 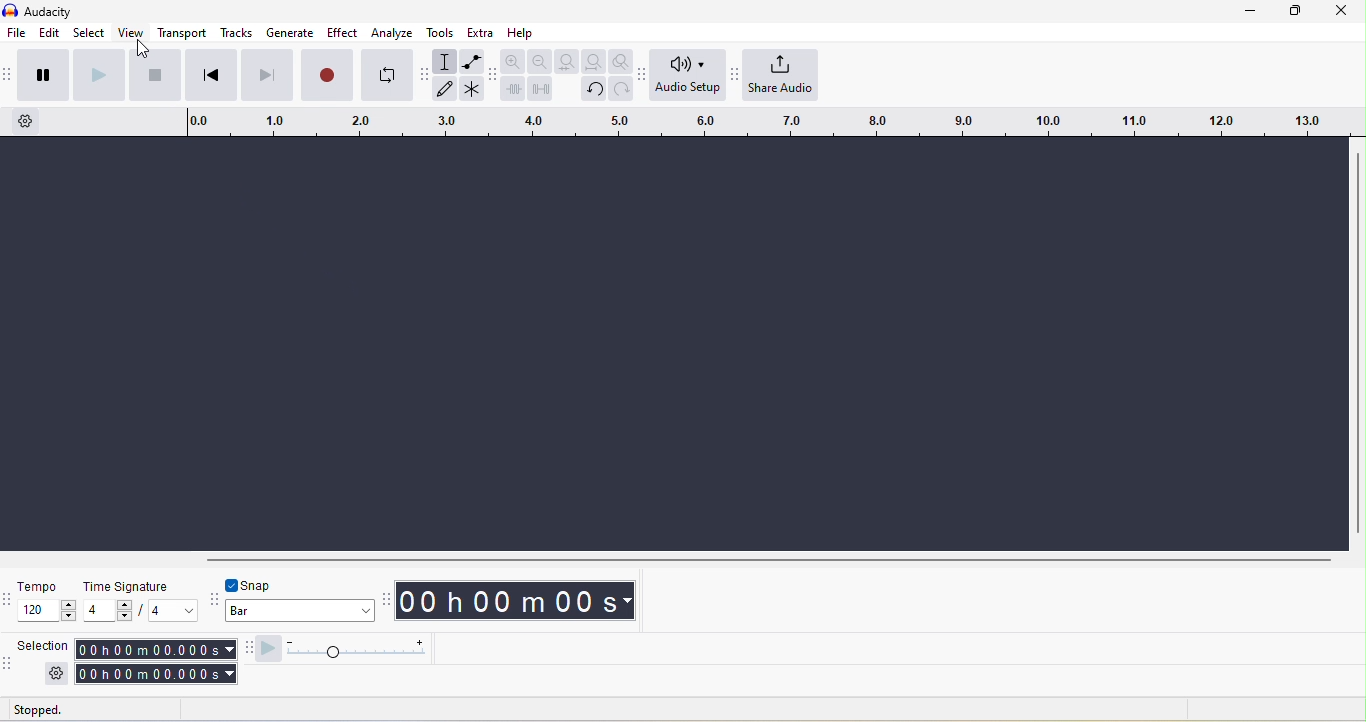 What do you see at coordinates (268, 650) in the screenshot?
I see `play at speed` at bounding box center [268, 650].